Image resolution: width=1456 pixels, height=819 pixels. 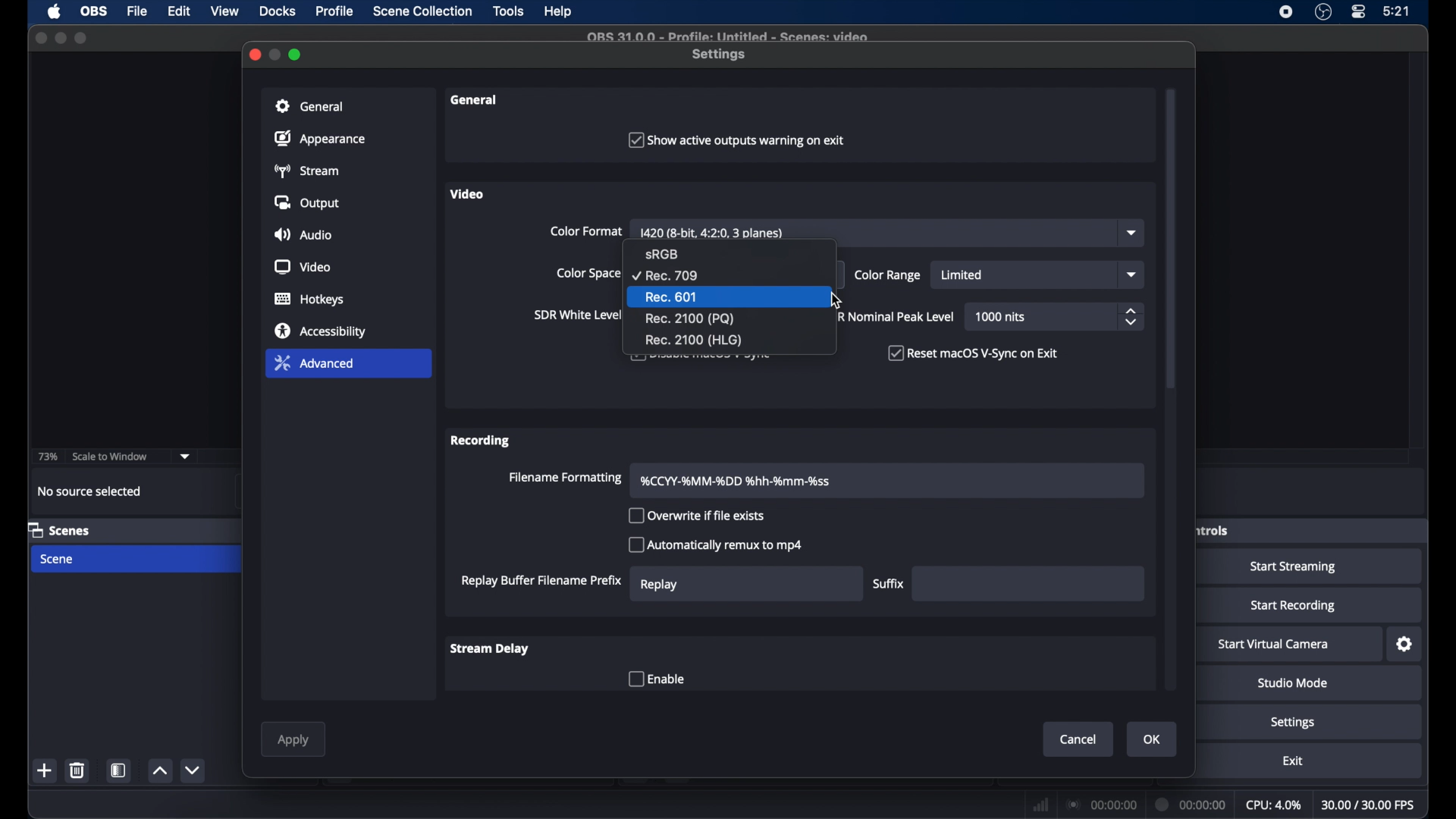 I want to click on maximize, so click(x=81, y=37).